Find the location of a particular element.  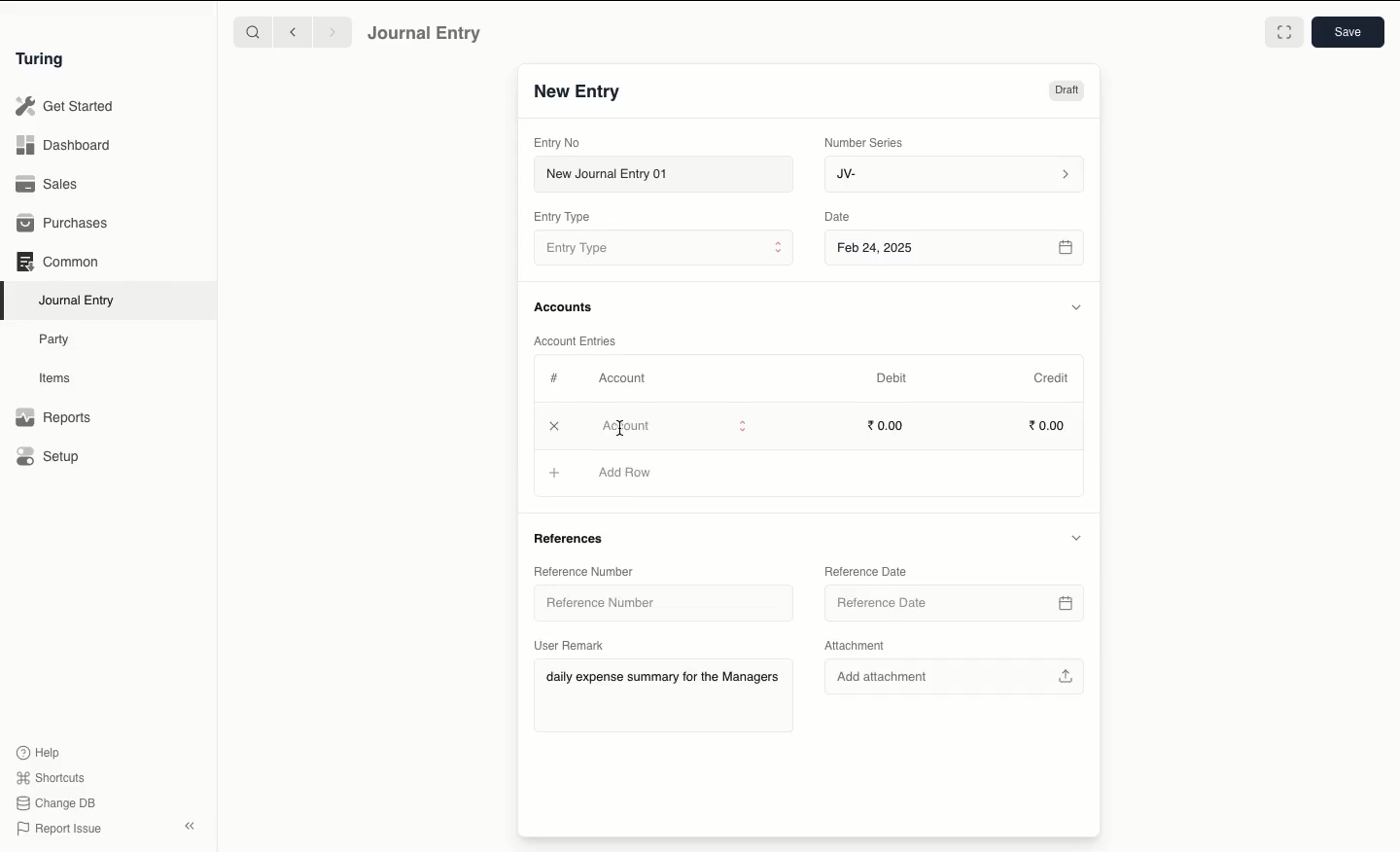

Change DB is located at coordinates (55, 803).